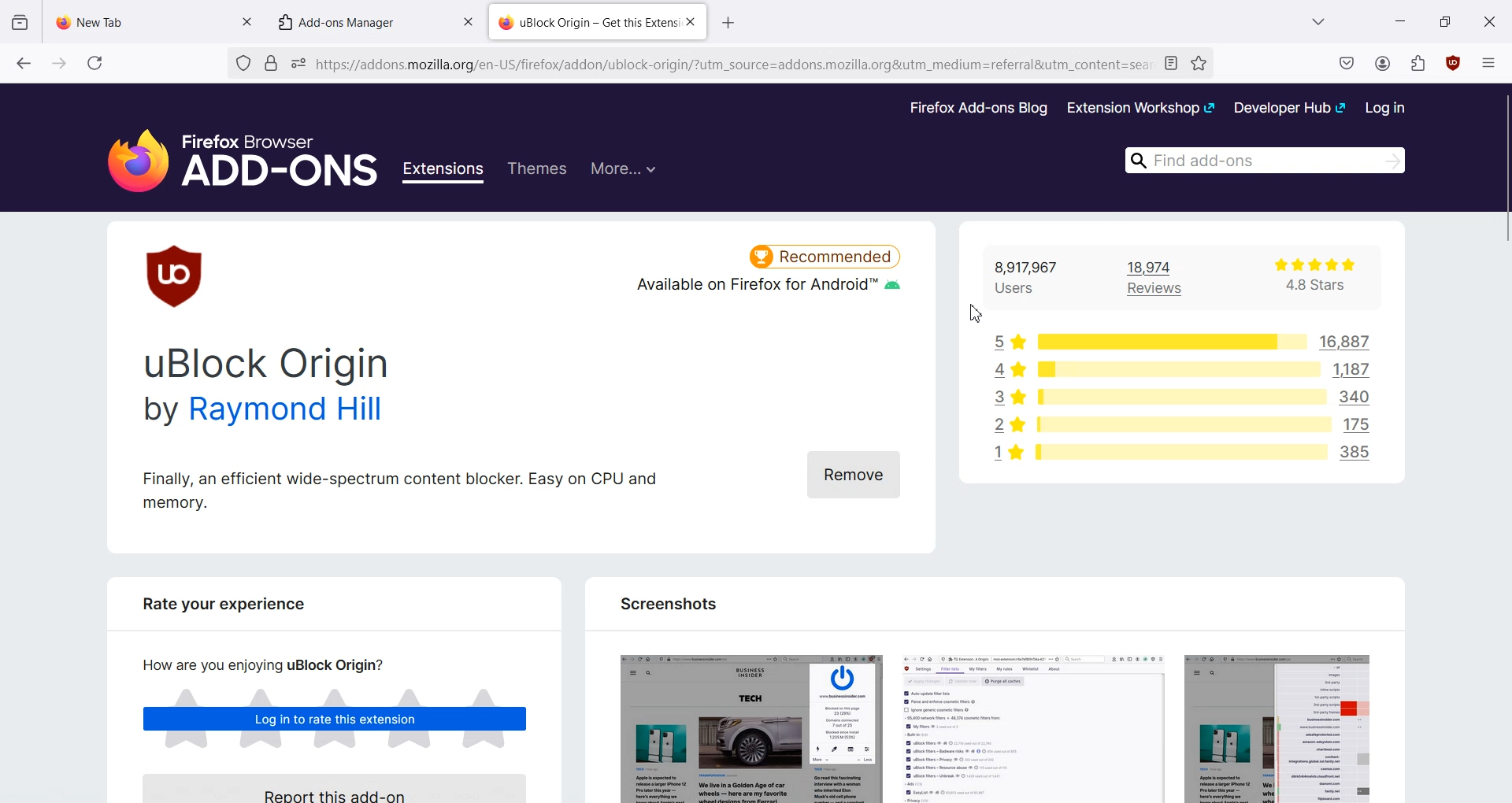 The height and width of the screenshot is (803, 1512). I want to click on Close Tab, so click(691, 23).